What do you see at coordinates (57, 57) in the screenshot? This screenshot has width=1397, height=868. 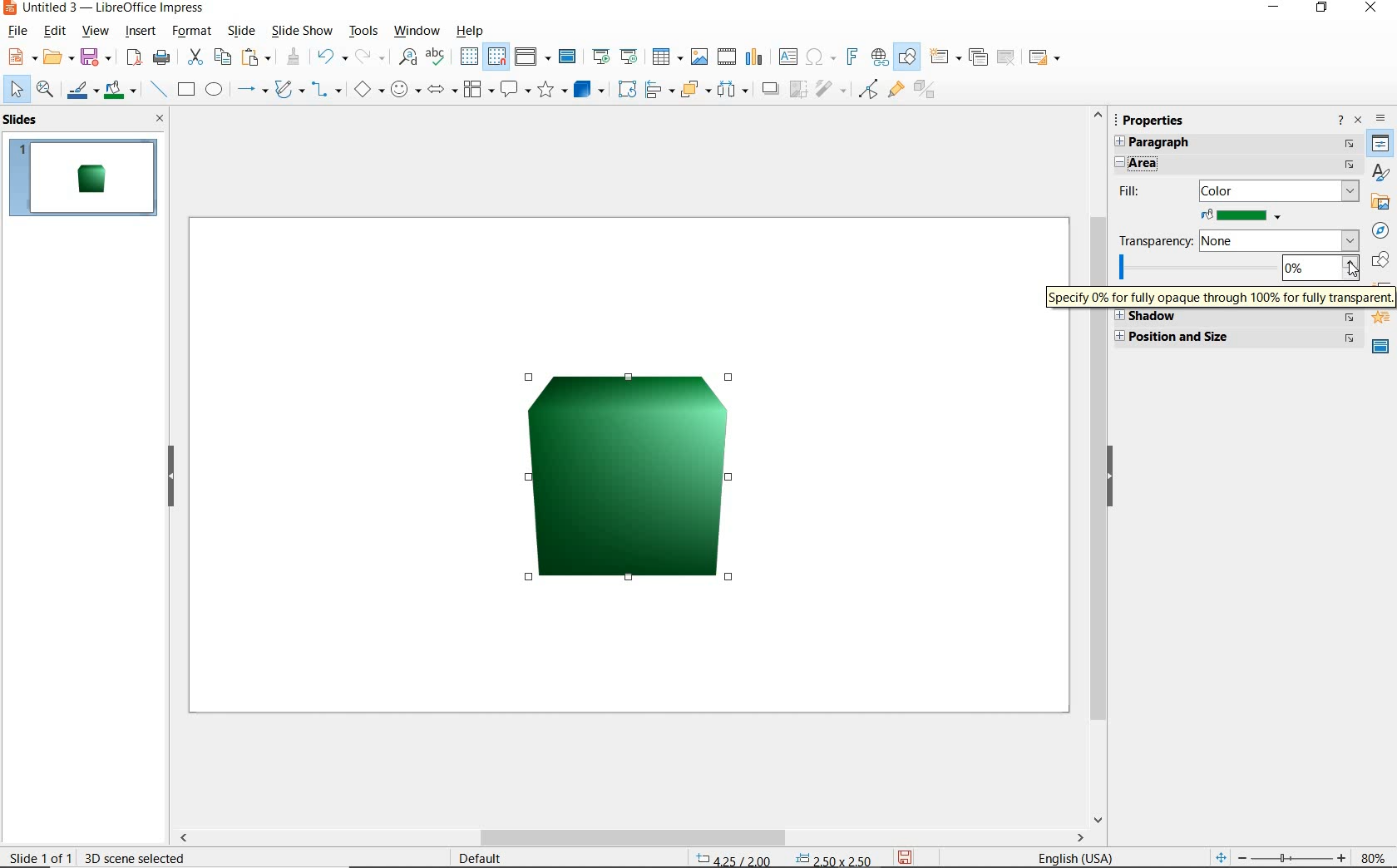 I see `open` at bounding box center [57, 57].